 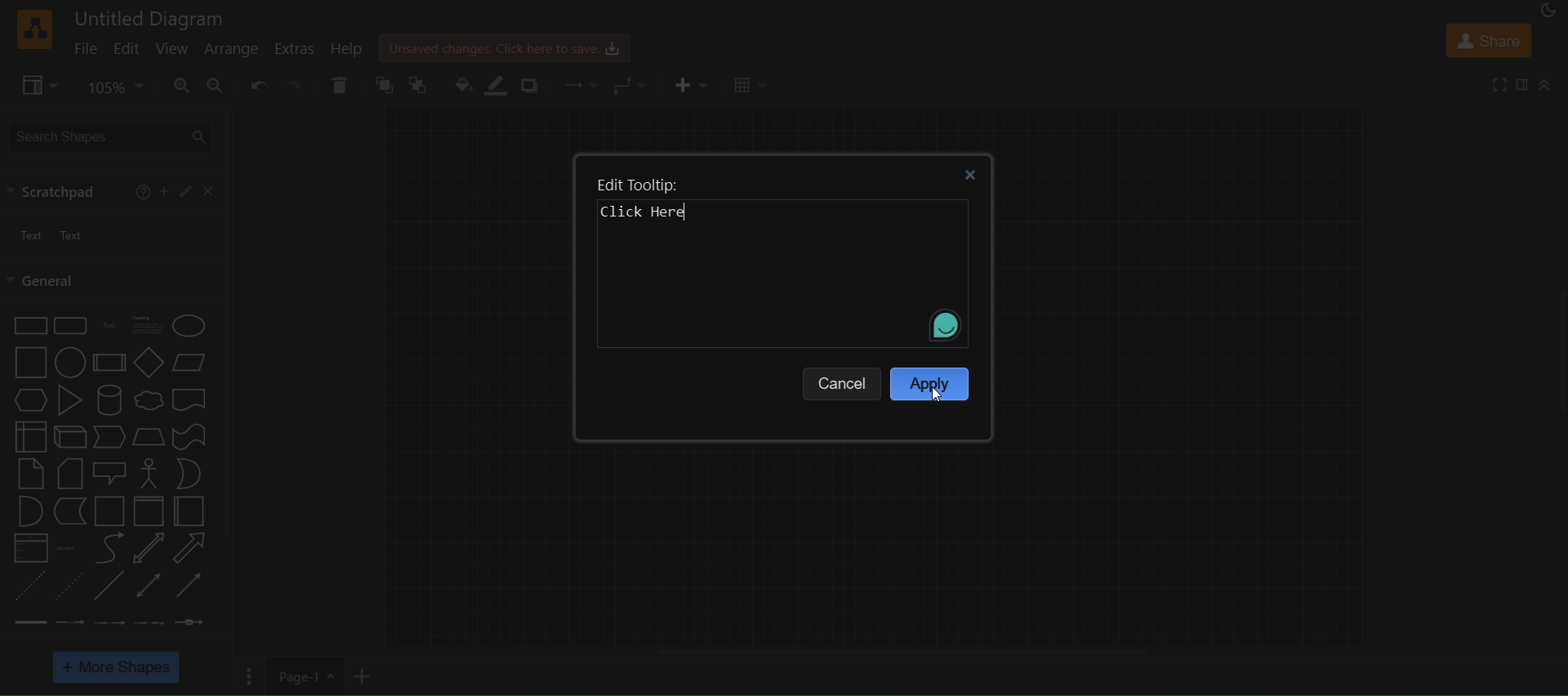 I want to click on dashed line, so click(x=28, y=586).